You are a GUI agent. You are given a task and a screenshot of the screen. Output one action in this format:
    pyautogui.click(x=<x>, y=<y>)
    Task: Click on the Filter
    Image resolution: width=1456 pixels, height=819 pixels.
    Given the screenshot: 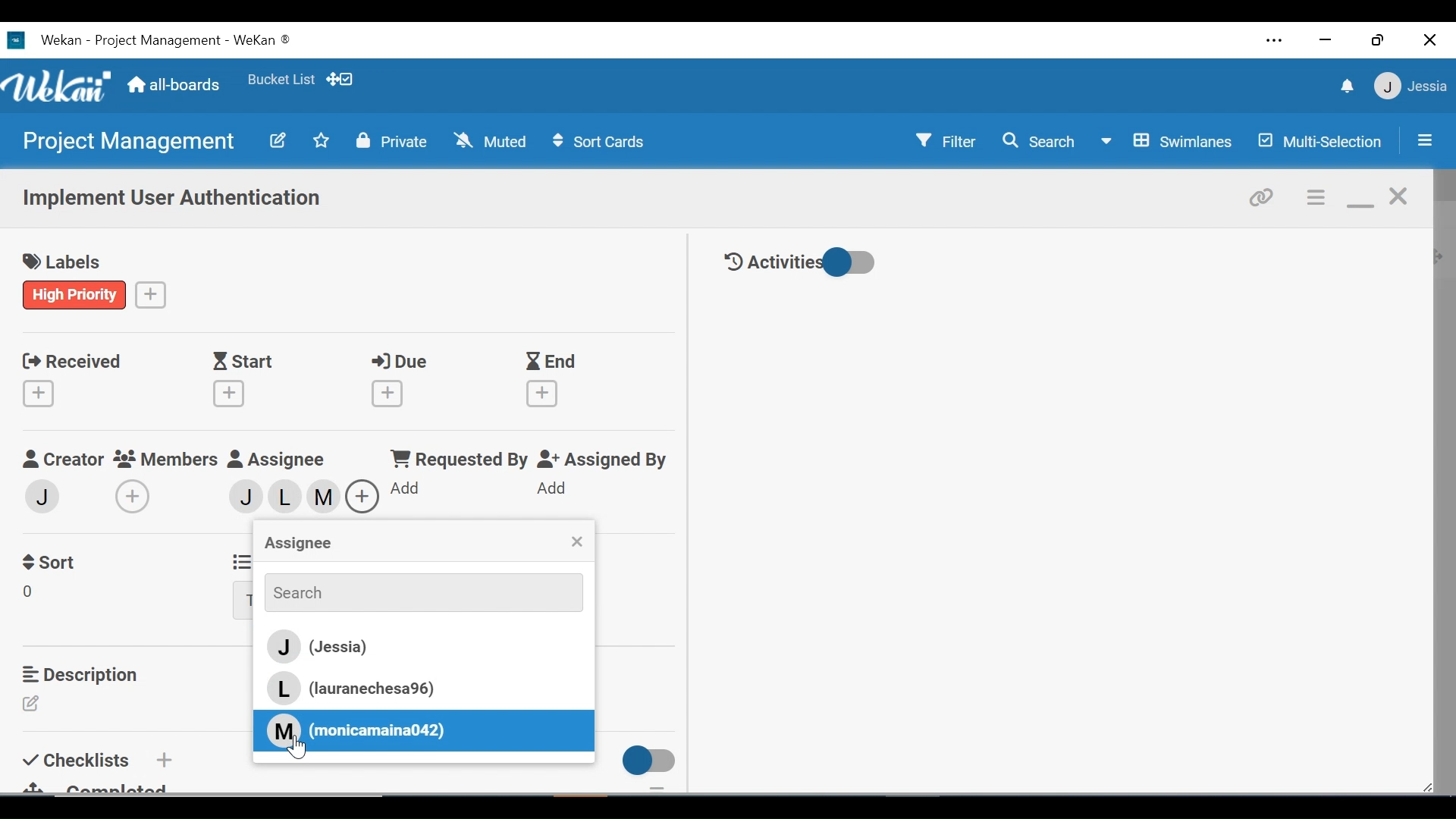 What is the action you would take?
    pyautogui.click(x=947, y=140)
    